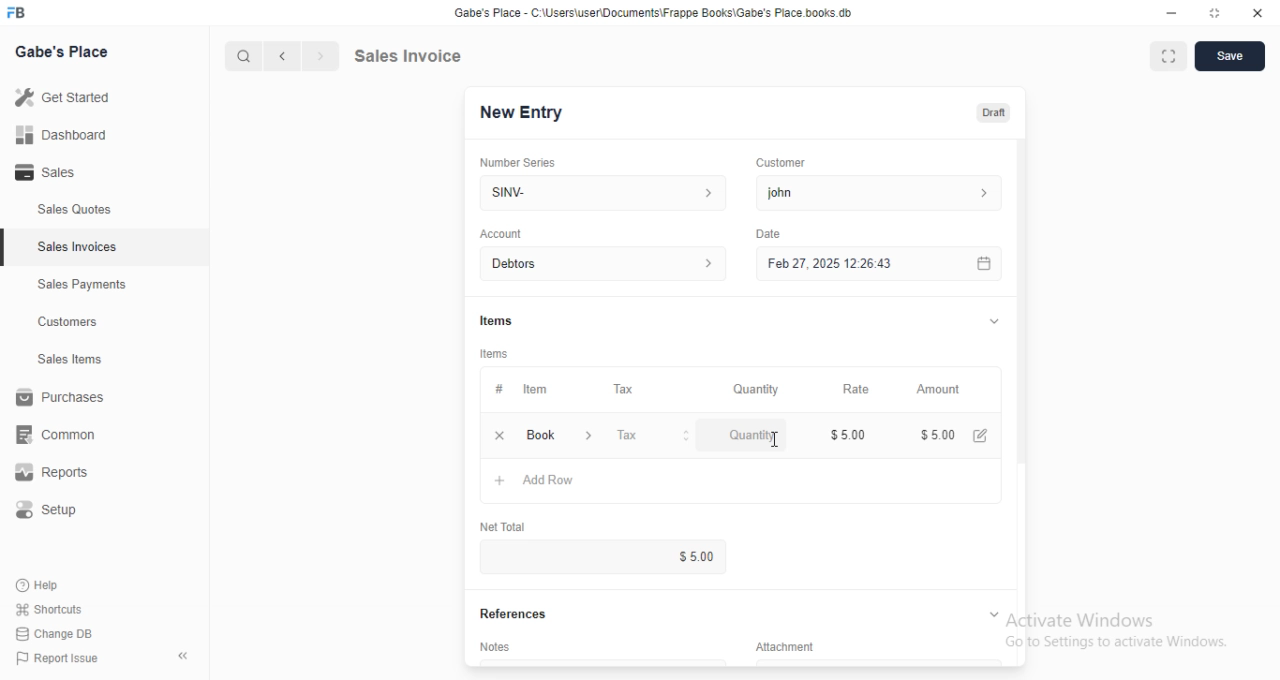  I want to click on book, so click(561, 435).